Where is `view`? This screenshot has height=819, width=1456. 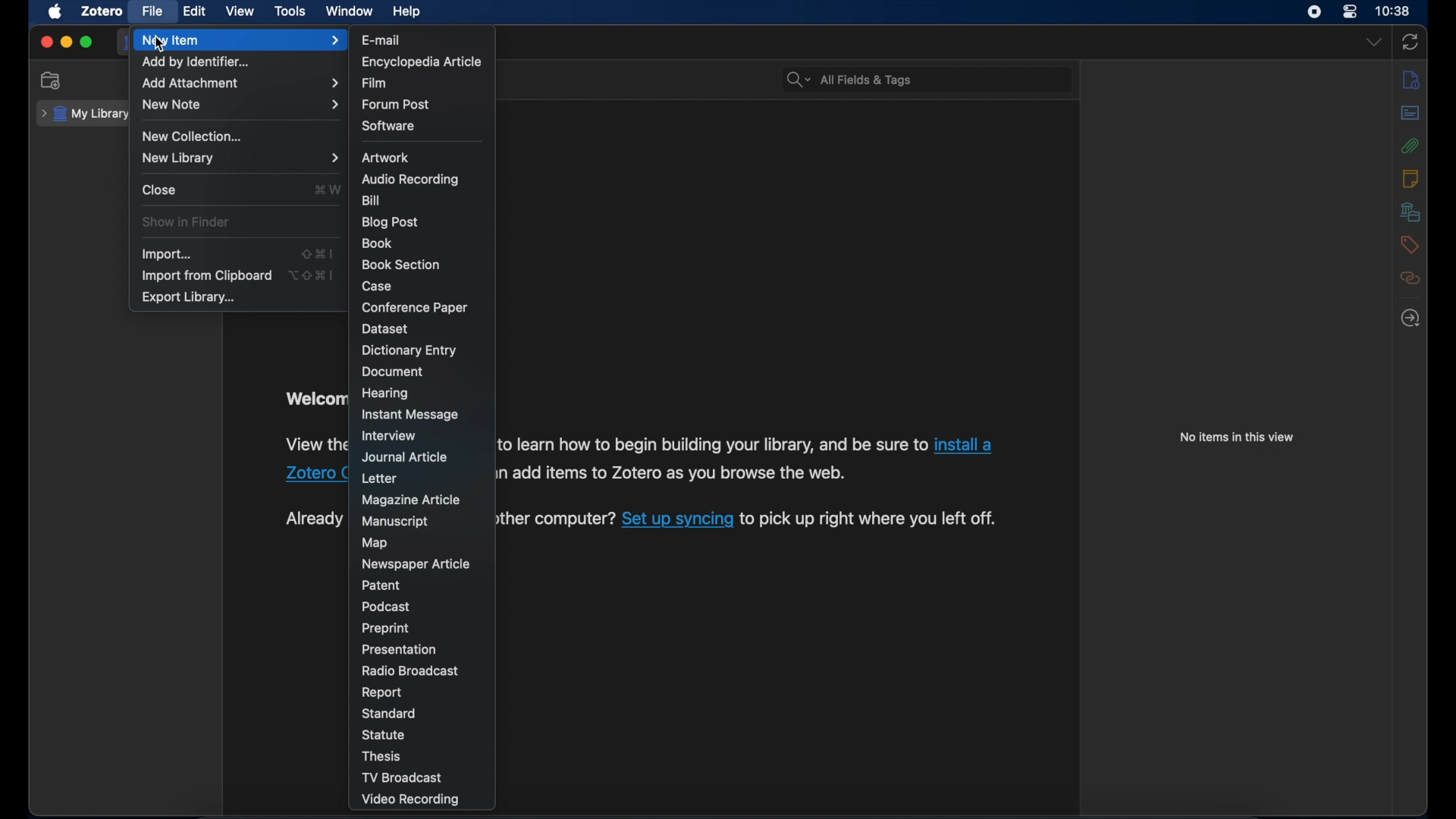
view is located at coordinates (240, 11).